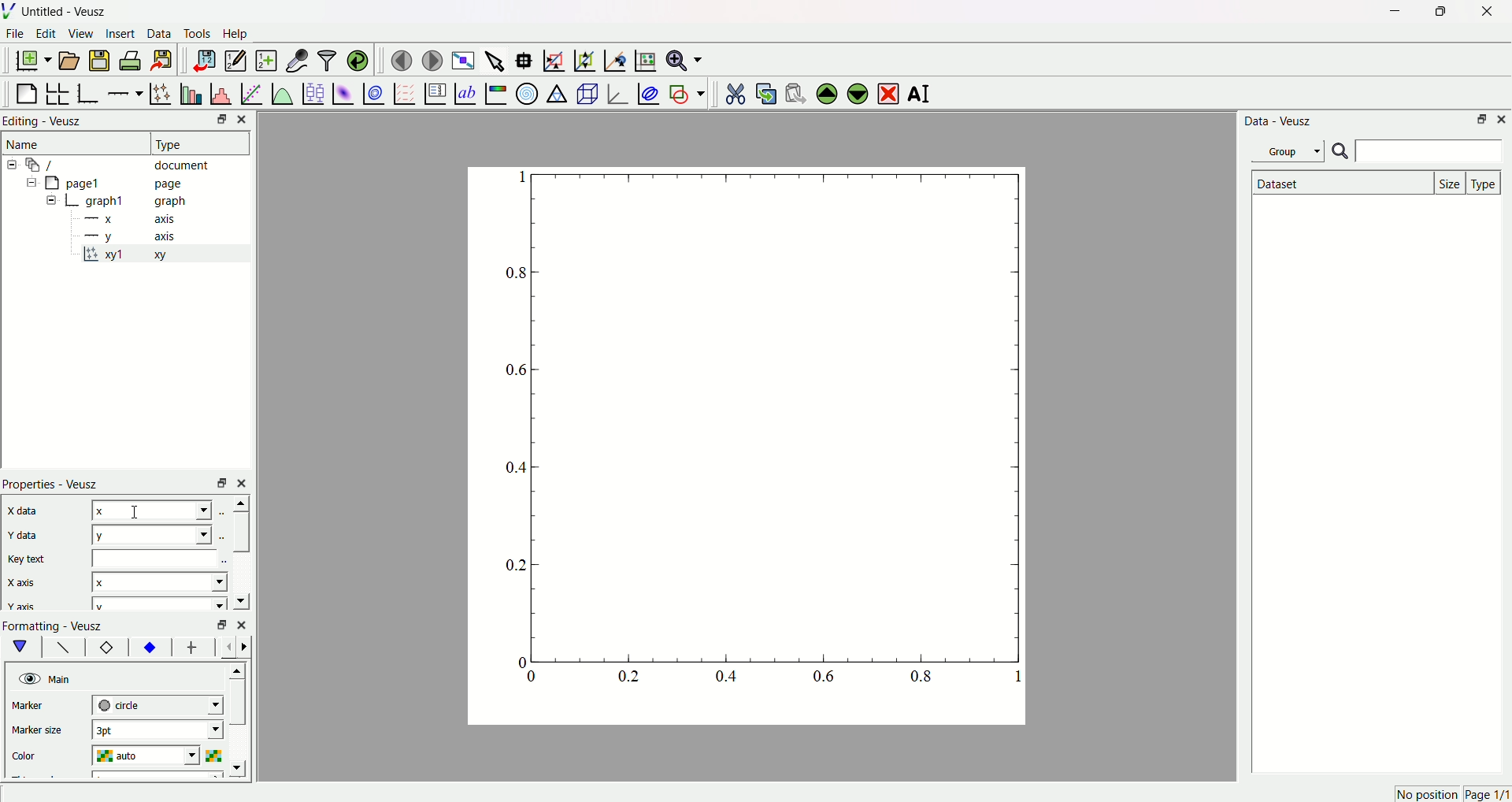 Image resolution: width=1512 pixels, height=802 pixels. I want to click on Editing - Veusz, so click(46, 122).